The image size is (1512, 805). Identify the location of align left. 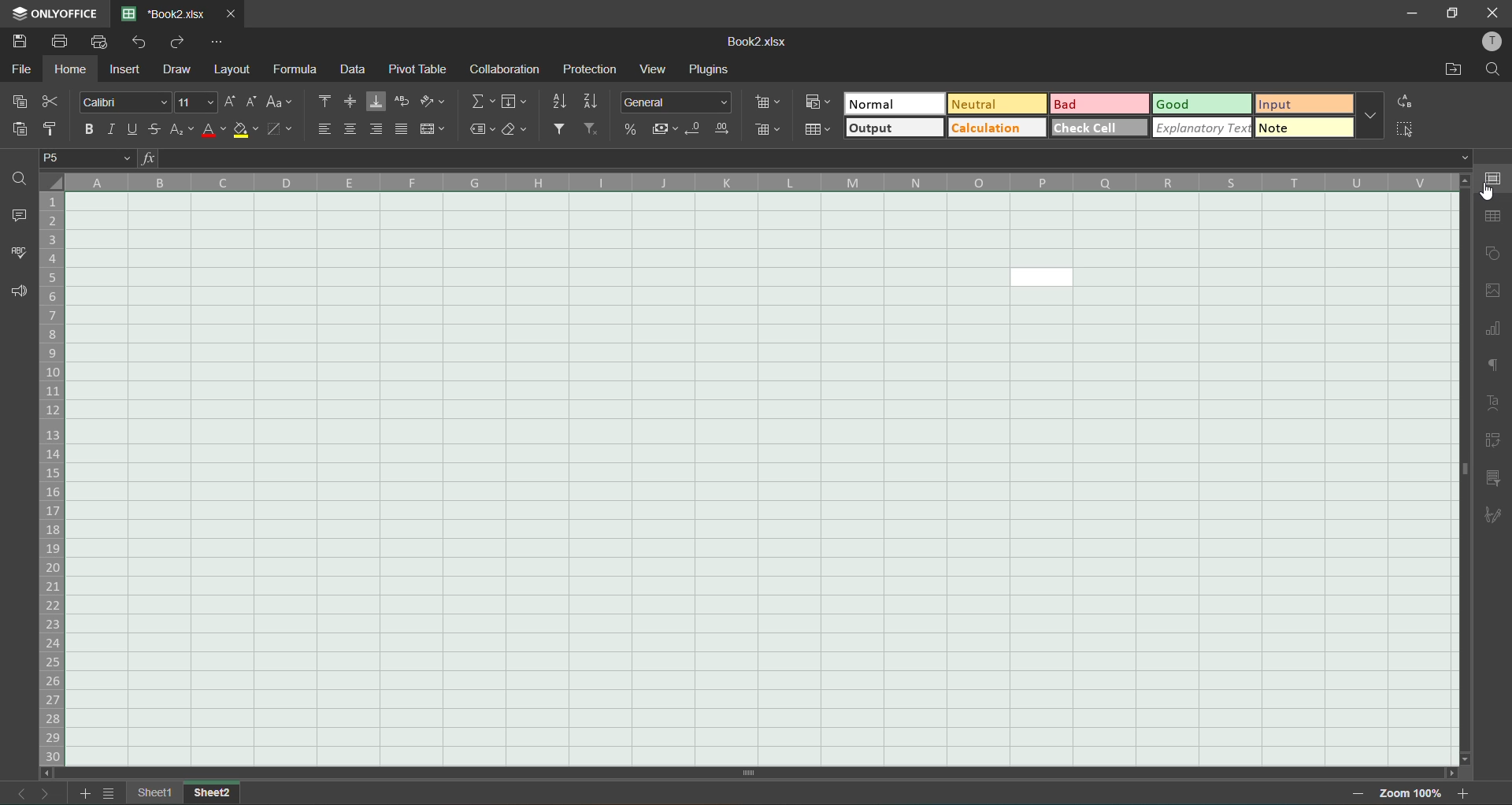
(322, 132).